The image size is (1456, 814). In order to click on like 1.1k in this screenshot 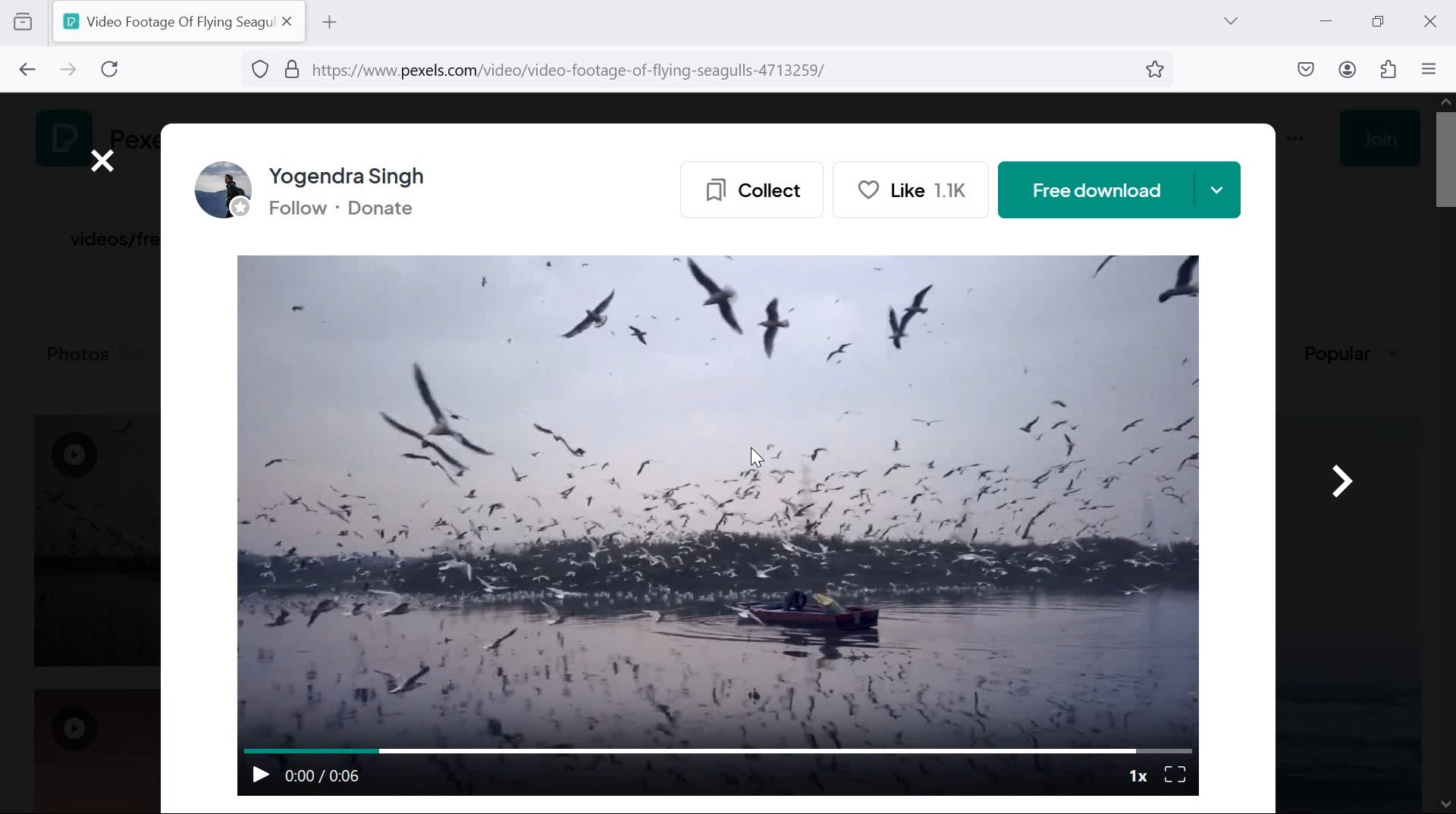, I will do `click(918, 189)`.